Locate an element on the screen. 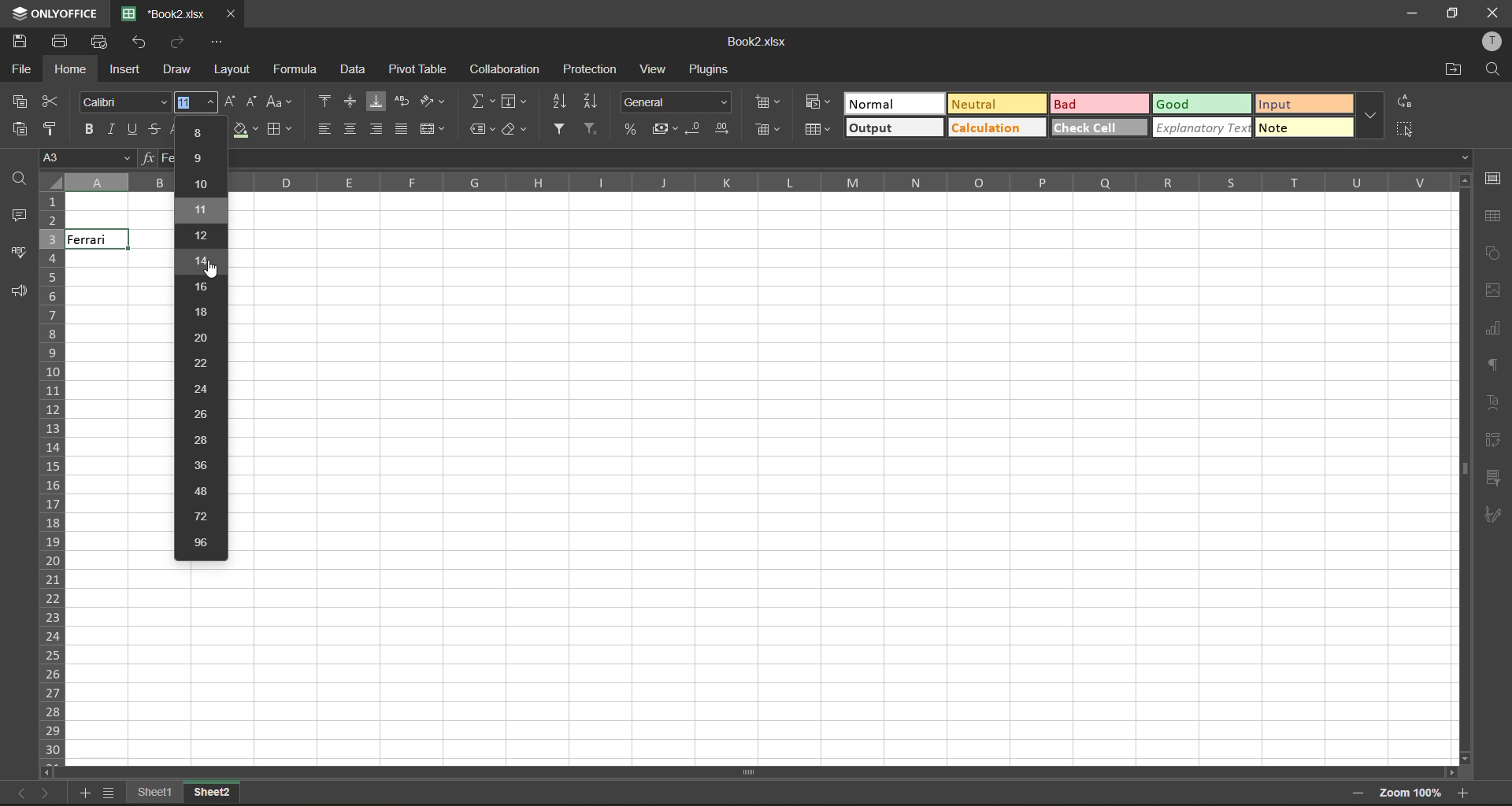 Image resolution: width=1512 pixels, height=806 pixels. delete cells is located at coordinates (768, 131).